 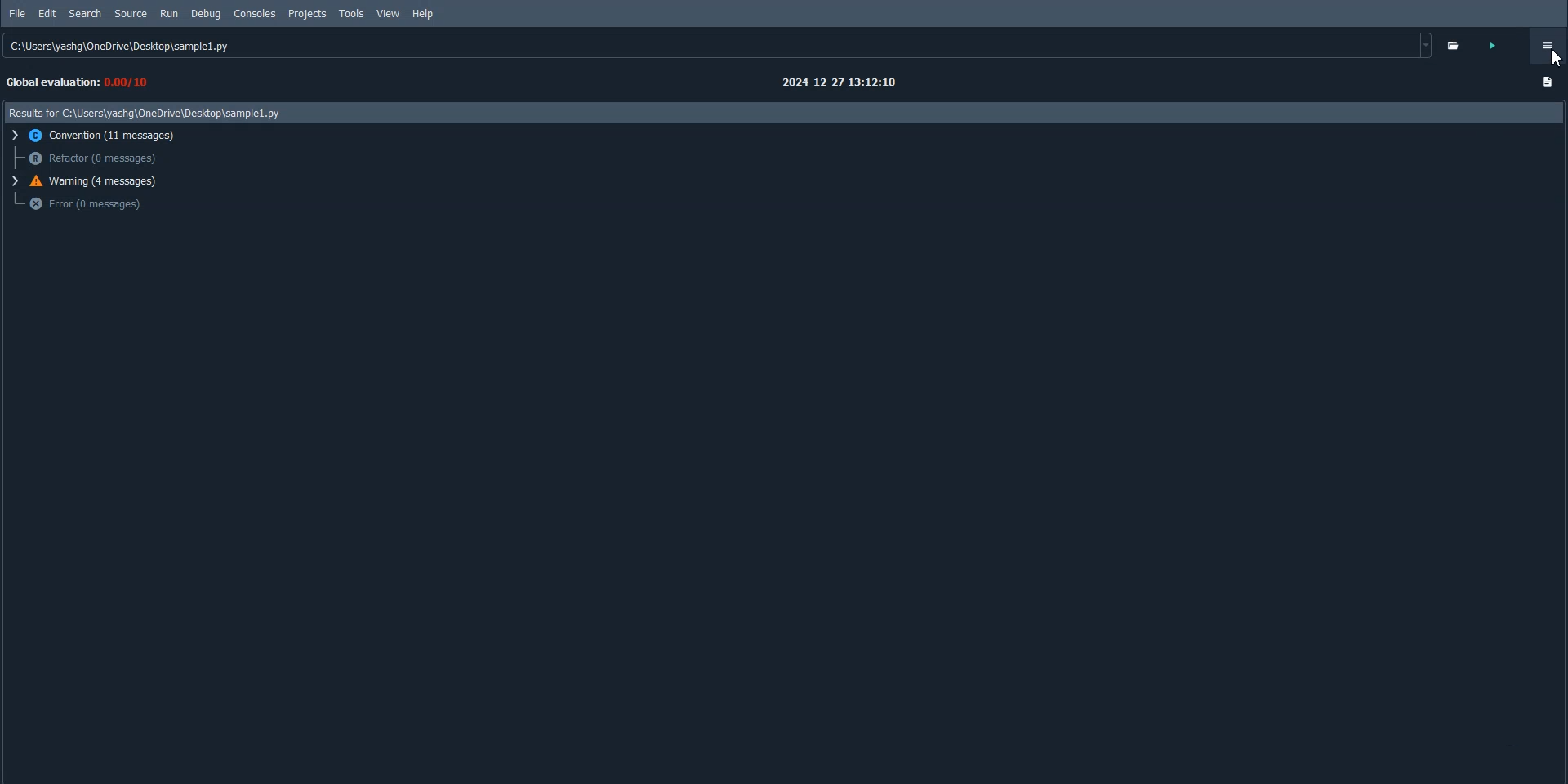 I want to click on Debug, so click(x=205, y=14).